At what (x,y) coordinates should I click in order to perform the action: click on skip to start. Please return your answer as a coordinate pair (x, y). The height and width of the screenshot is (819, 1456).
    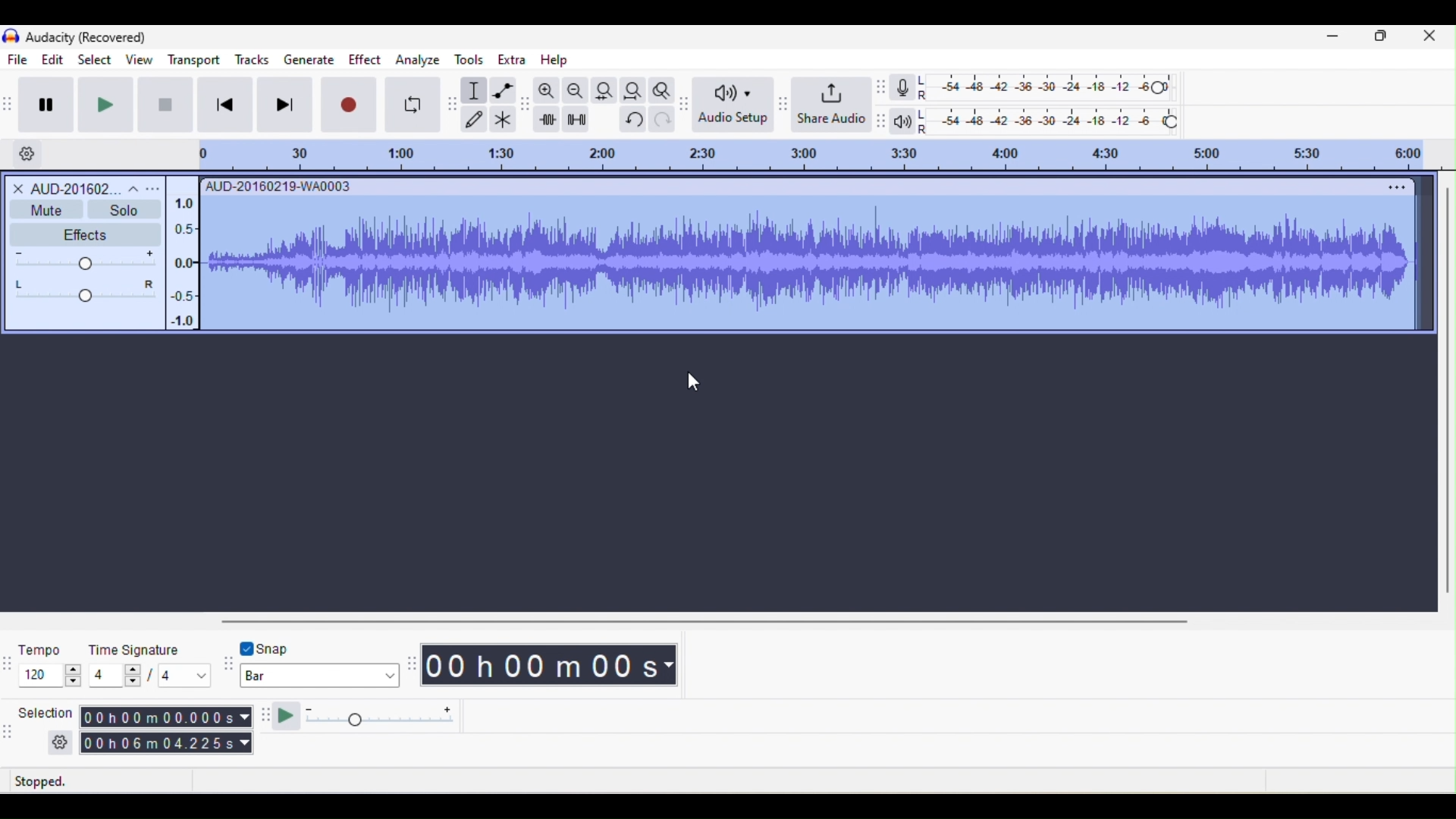
    Looking at the image, I should click on (227, 106).